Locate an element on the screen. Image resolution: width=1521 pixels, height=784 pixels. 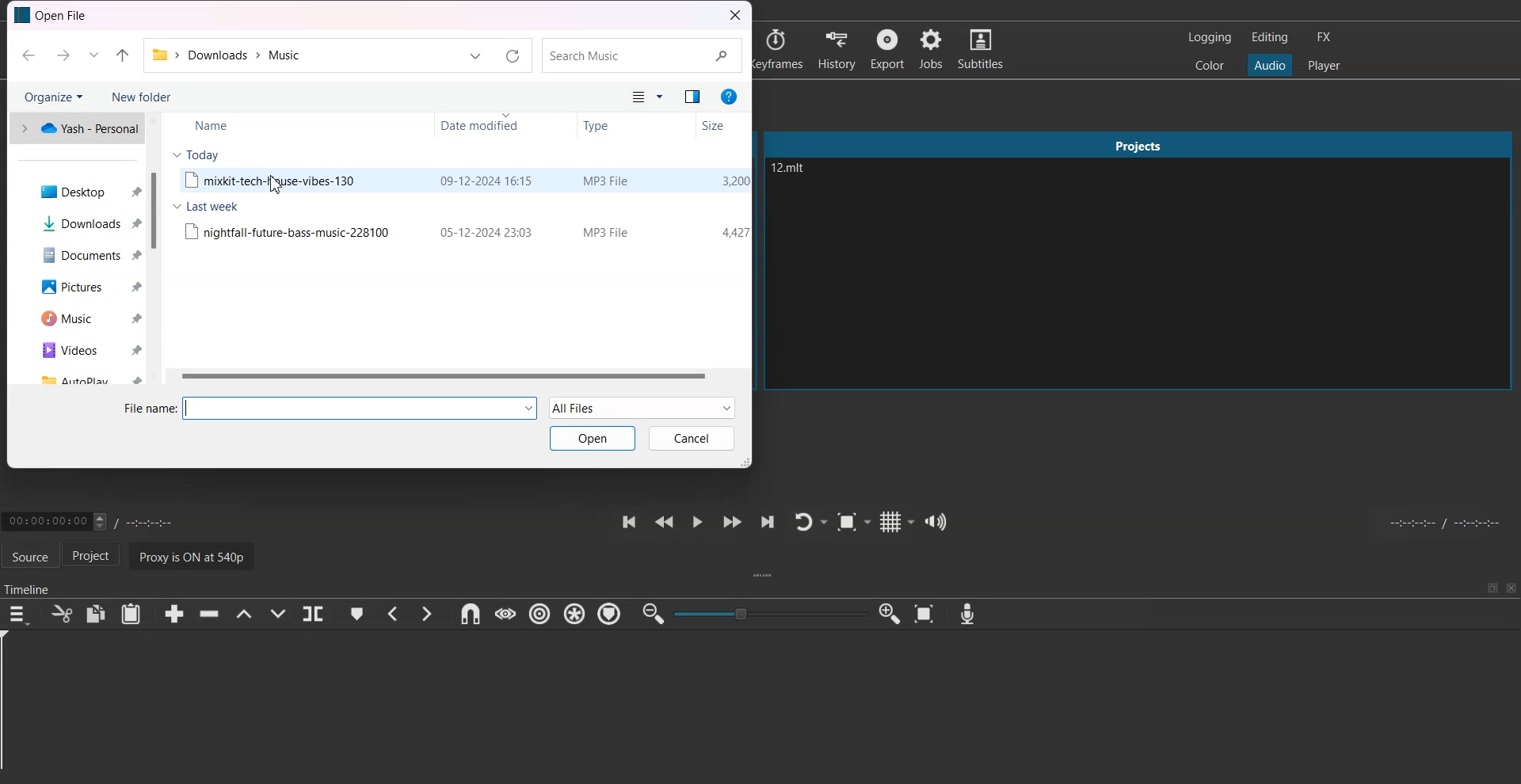
Play quickly forwards is located at coordinates (730, 522).